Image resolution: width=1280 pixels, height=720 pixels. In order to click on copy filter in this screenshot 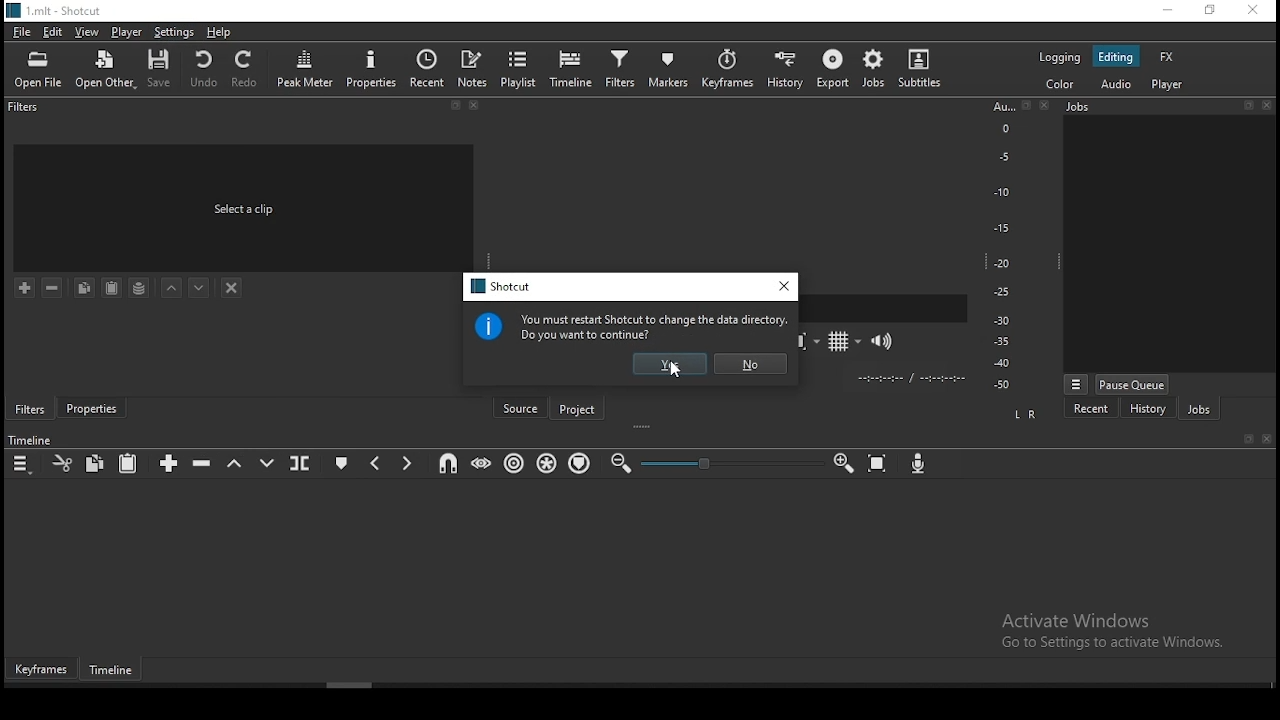, I will do `click(84, 288)`.